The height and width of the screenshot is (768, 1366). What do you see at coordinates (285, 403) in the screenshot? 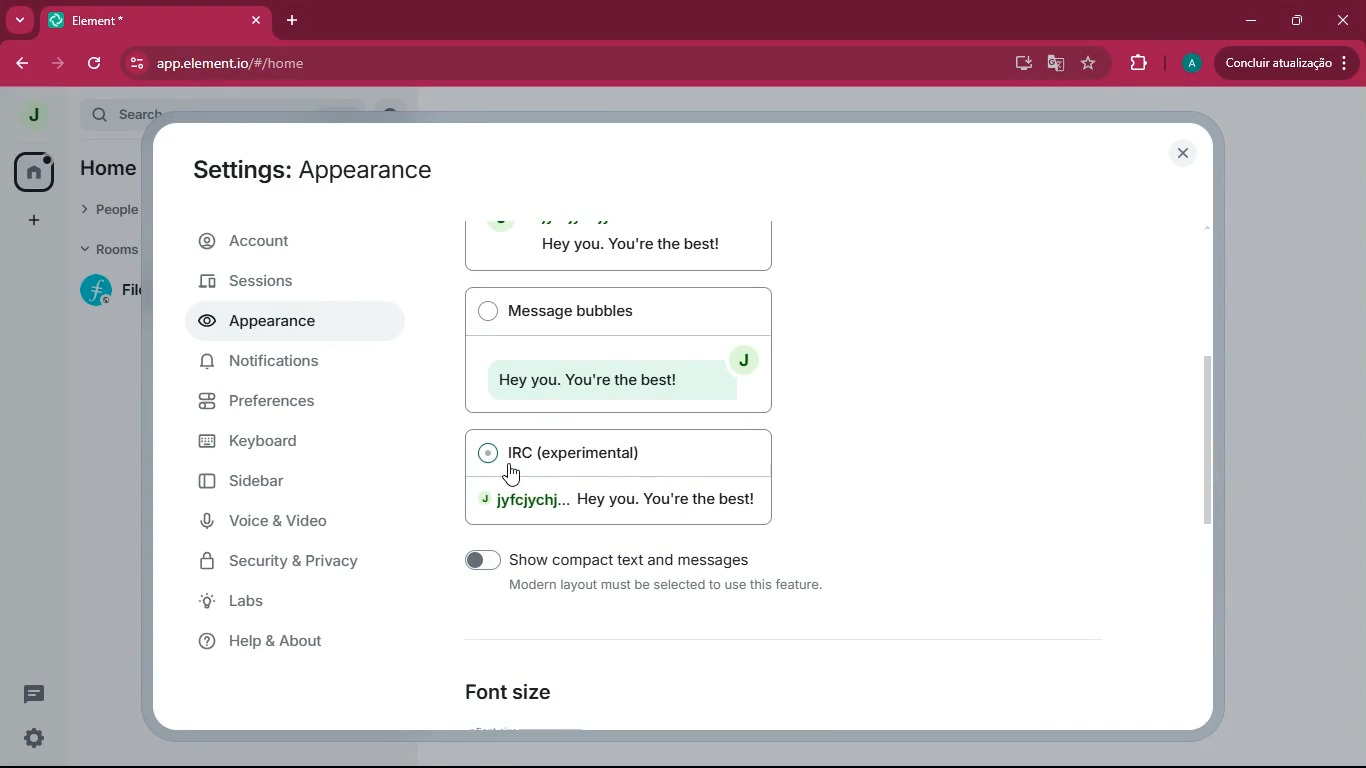
I see `preferences` at bounding box center [285, 403].